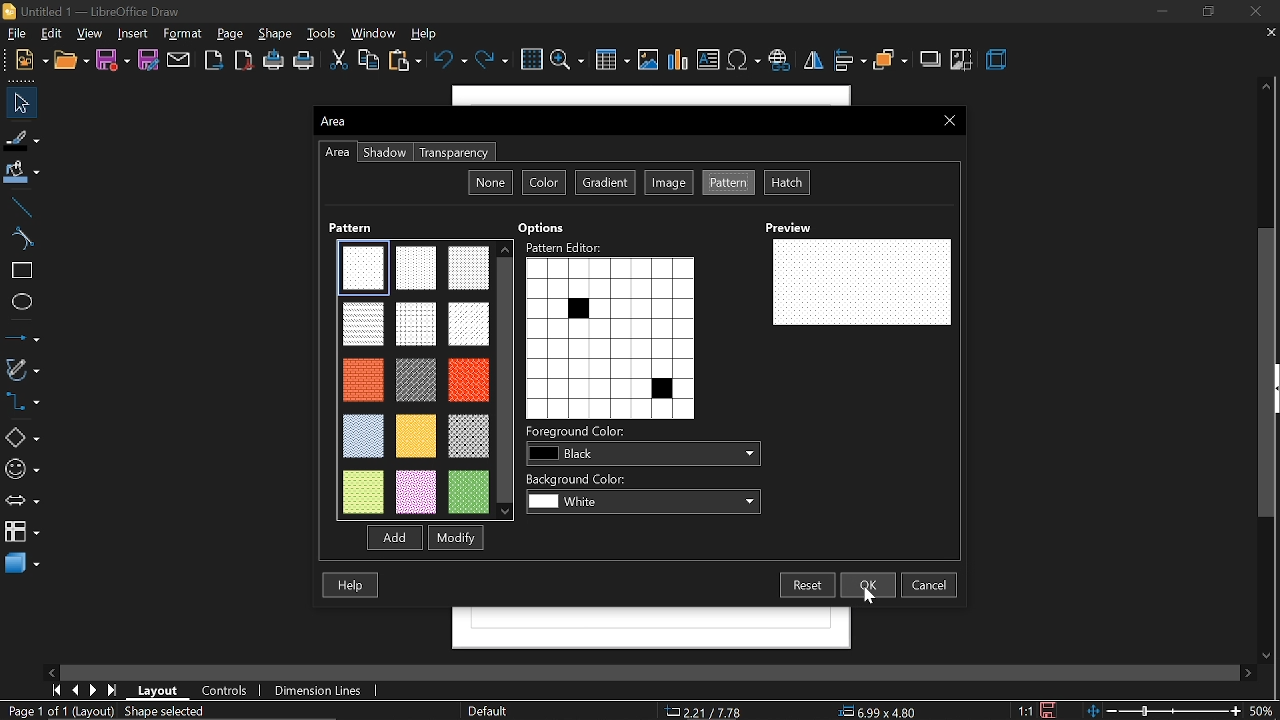 The width and height of the screenshot is (1280, 720). Describe the element at coordinates (20, 302) in the screenshot. I see `ellipse` at that location.